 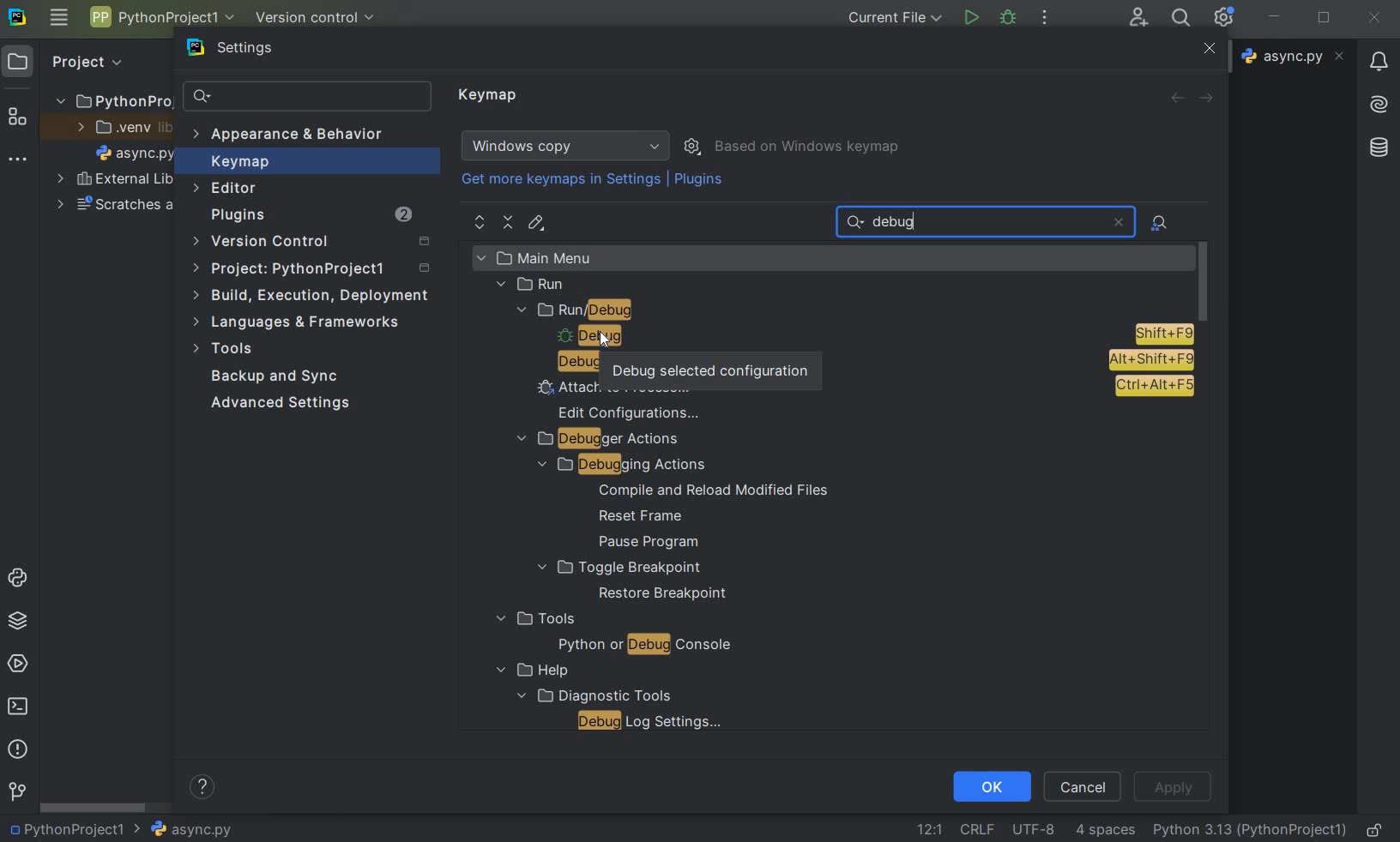 What do you see at coordinates (1151, 360) in the screenshot?
I see `AIt+Shift+F9` at bounding box center [1151, 360].